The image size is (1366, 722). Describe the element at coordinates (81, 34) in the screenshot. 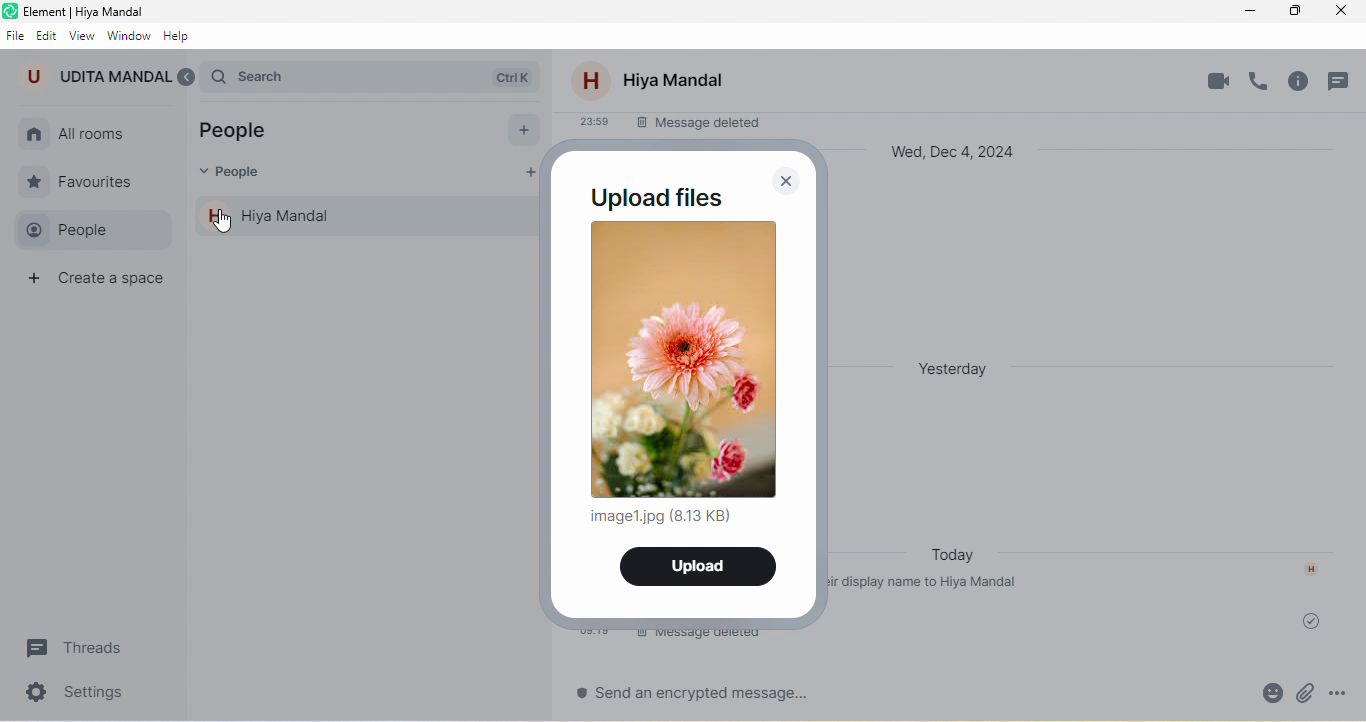

I see `view` at that location.